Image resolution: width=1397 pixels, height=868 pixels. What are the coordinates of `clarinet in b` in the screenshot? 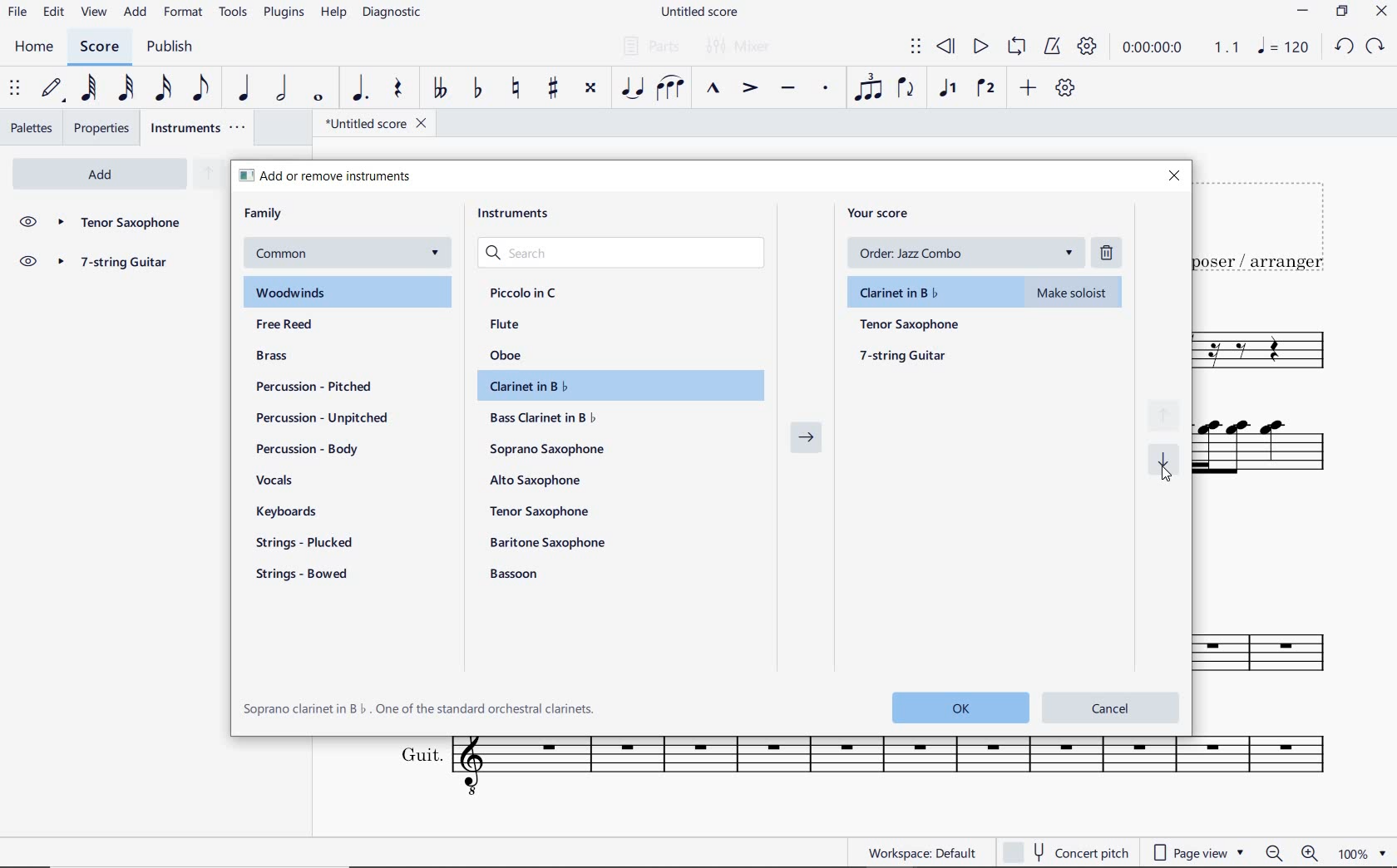 It's located at (615, 386).